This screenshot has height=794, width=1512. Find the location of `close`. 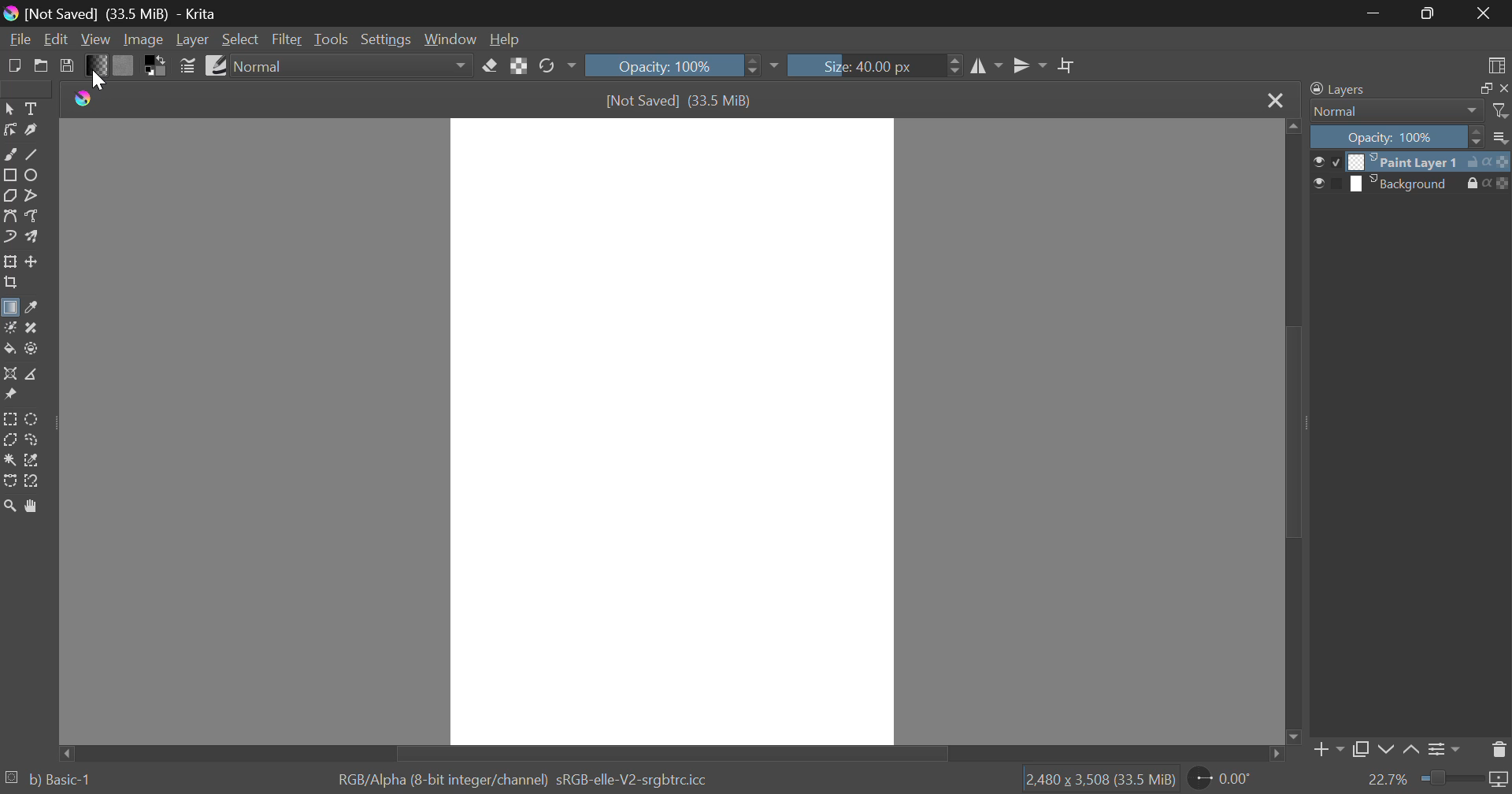

close is located at coordinates (1503, 88).